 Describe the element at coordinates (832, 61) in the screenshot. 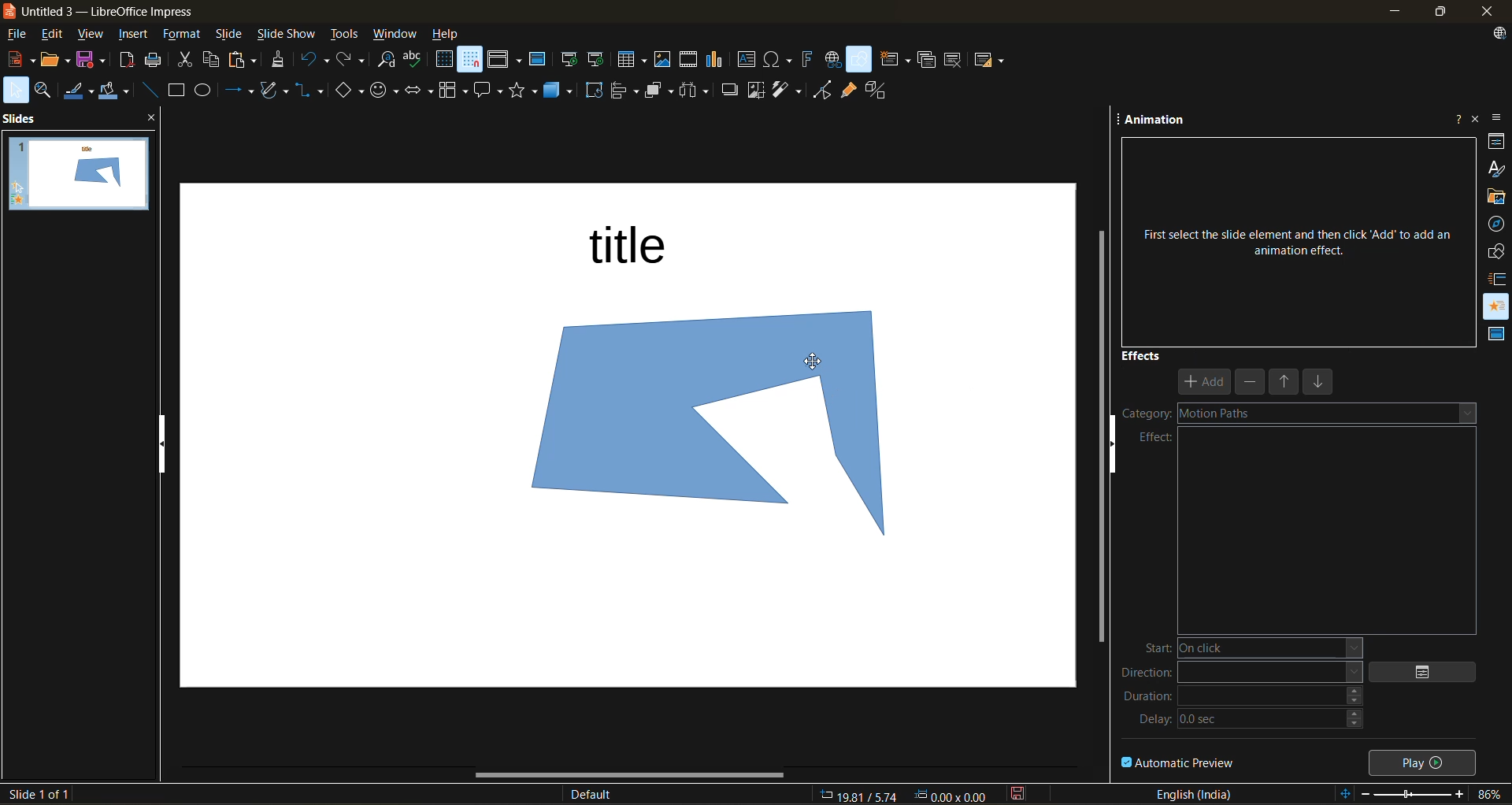

I see `insert hyperlink` at that location.